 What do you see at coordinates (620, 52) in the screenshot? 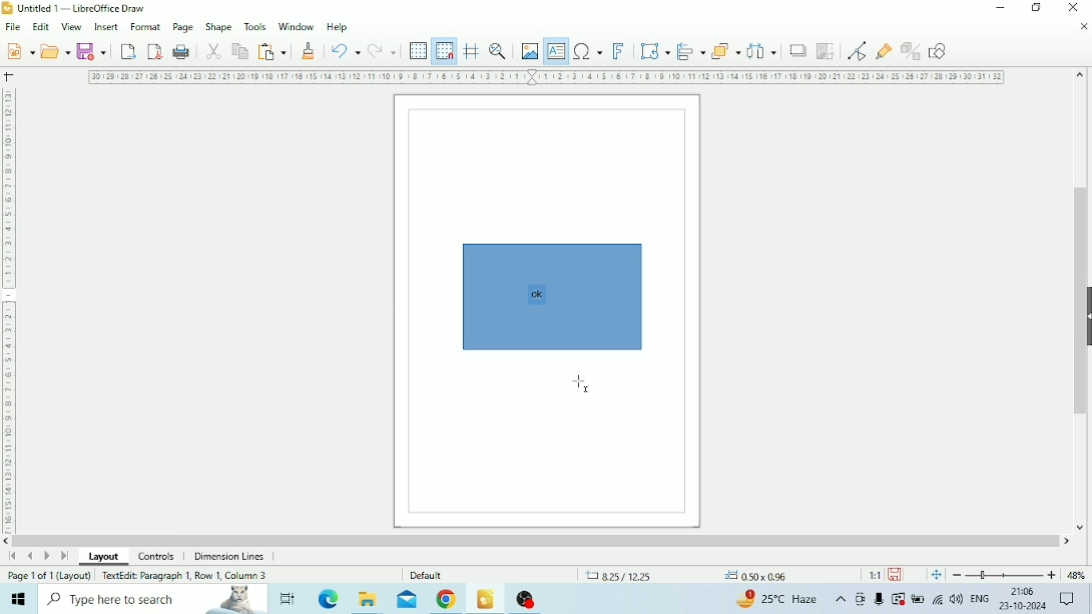
I see `Insert Fontwork Text` at bounding box center [620, 52].